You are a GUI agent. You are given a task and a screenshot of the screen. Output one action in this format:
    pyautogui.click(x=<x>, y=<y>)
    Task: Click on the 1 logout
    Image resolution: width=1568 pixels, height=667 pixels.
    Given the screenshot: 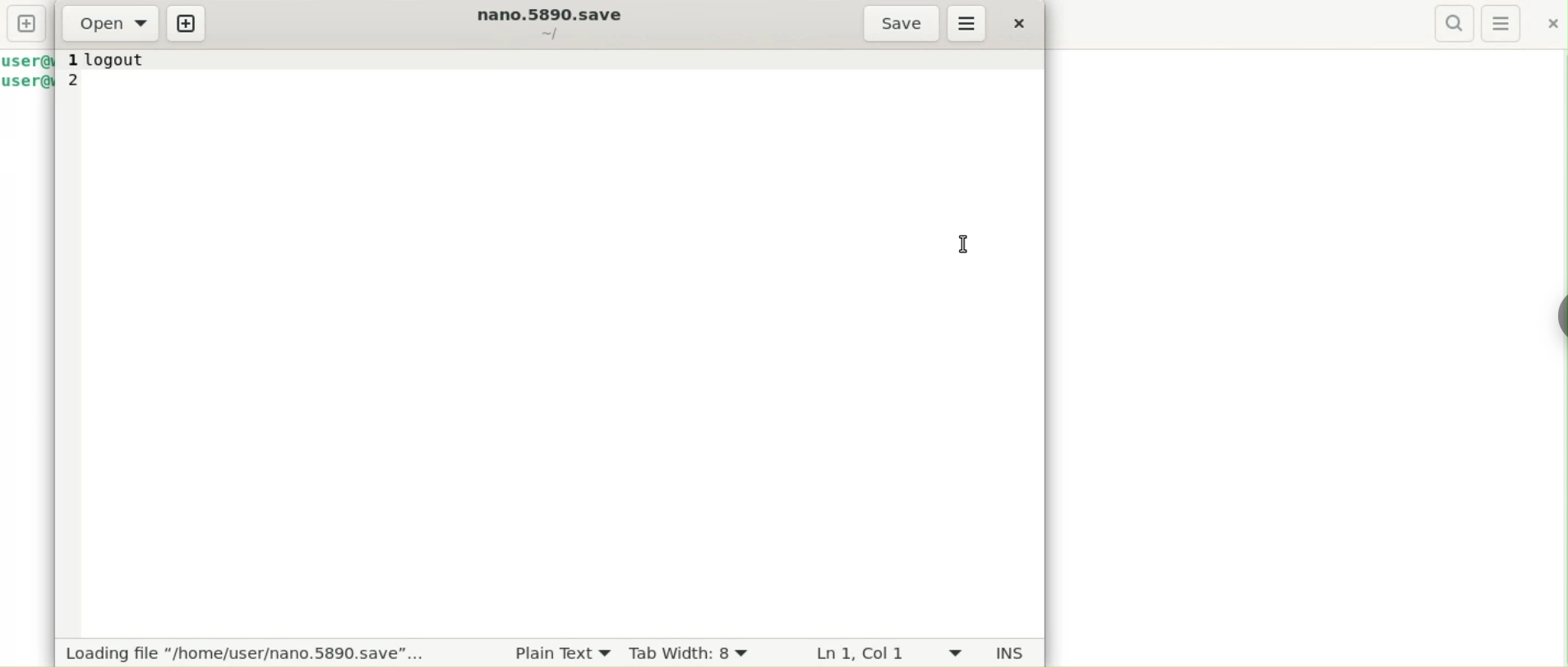 What is the action you would take?
    pyautogui.click(x=110, y=60)
    